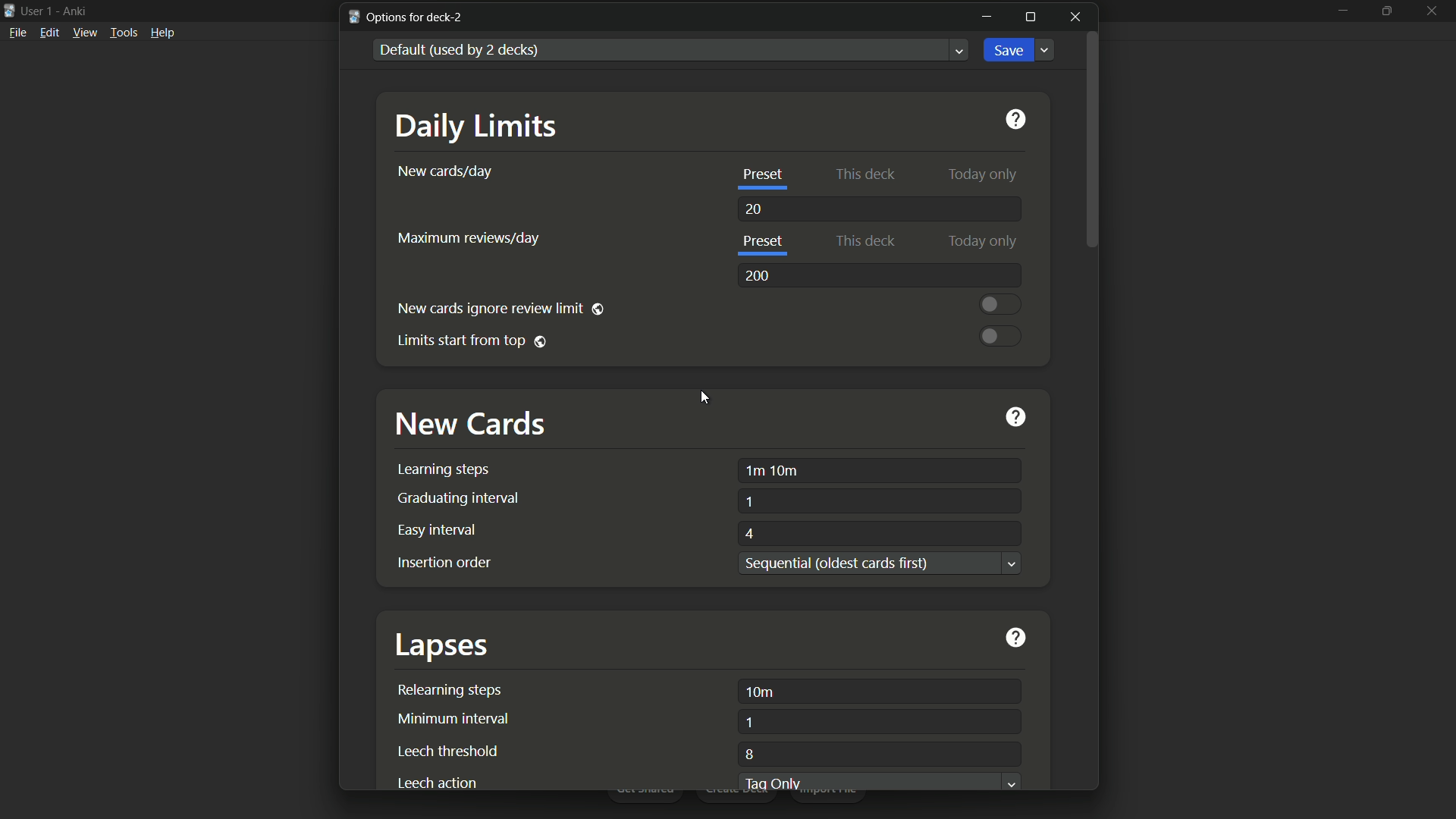 This screenshot has height=819, width=1456. Describe the element at coordinates (1075, 17) in the screenshot. I see `close window` at that location.